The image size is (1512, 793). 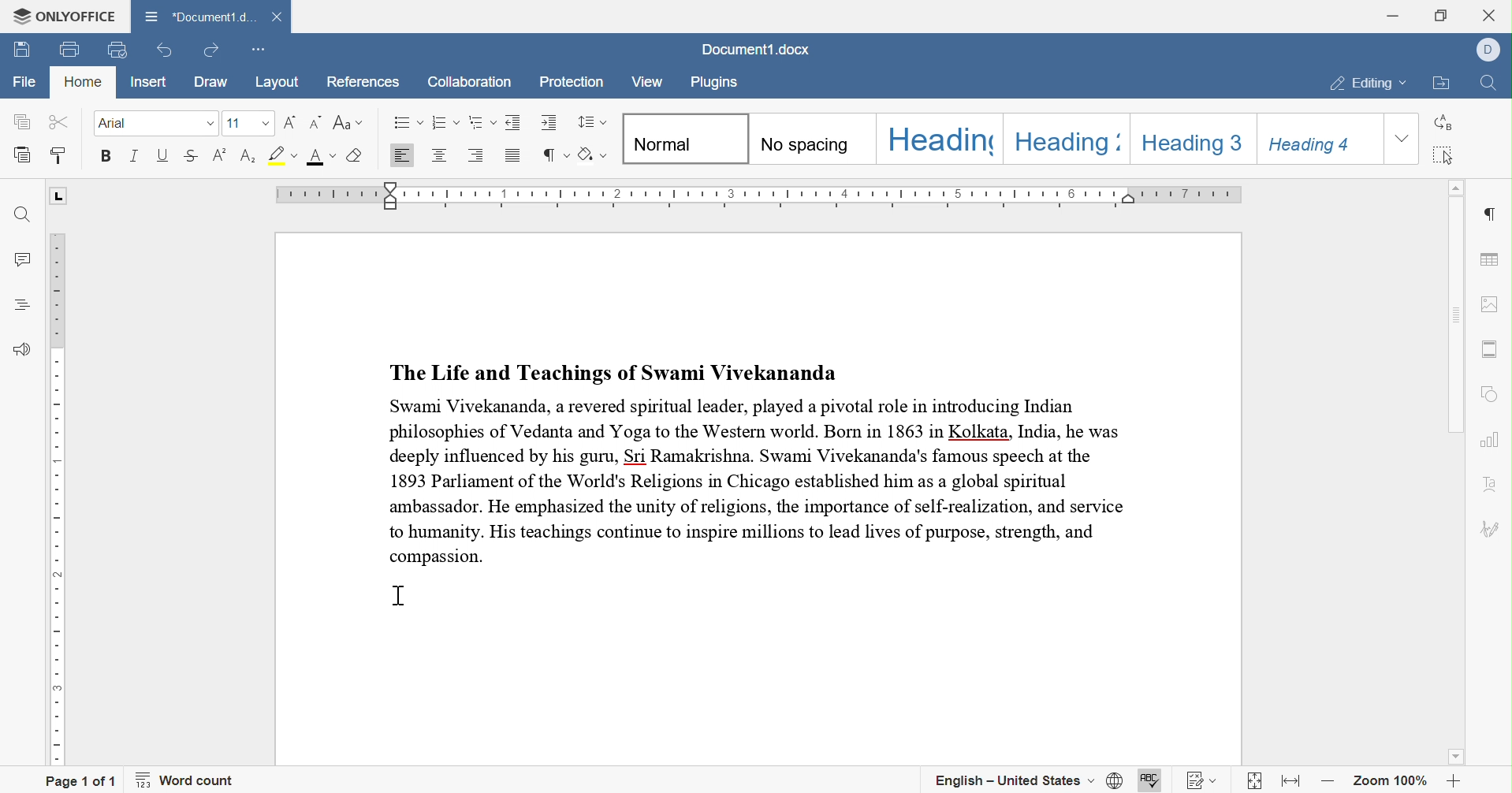 What do you see at coordinates (1255, 784) in the screenshot?
I see `fit to page` at bounding box center [1255, 784].